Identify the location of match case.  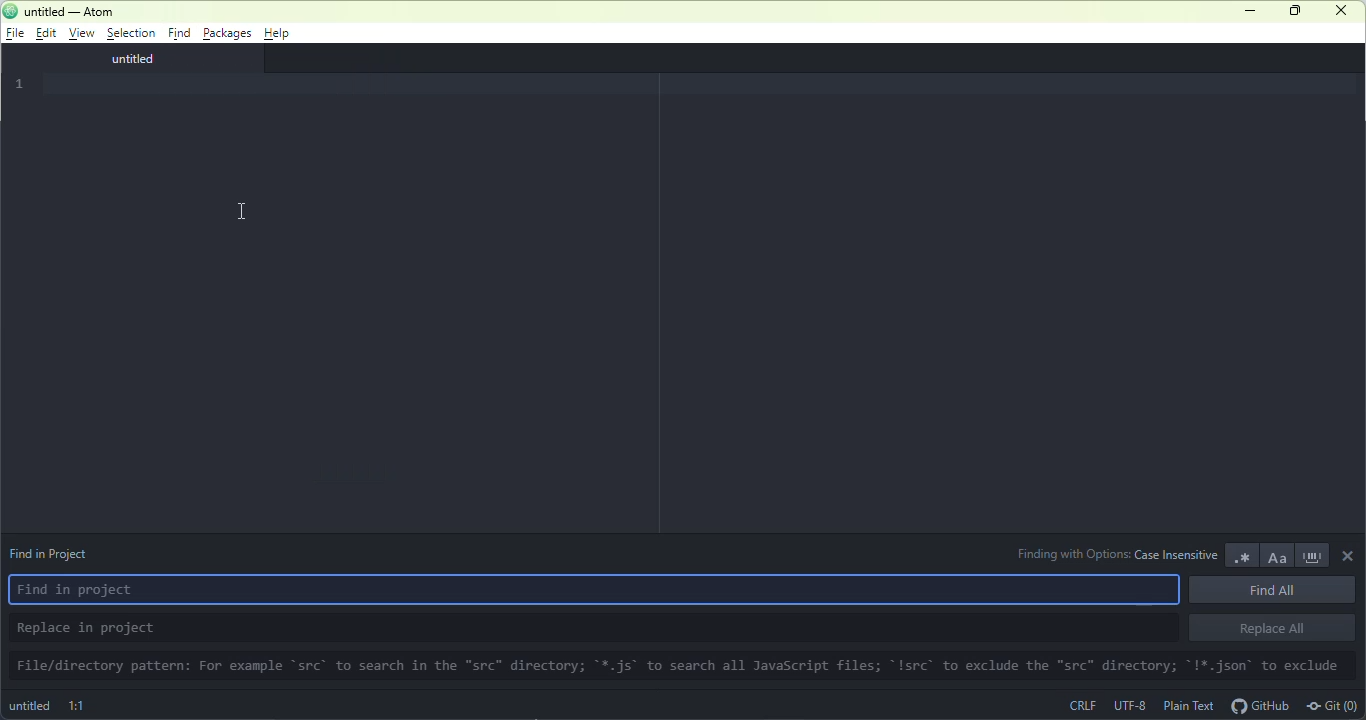
(1276, 555).